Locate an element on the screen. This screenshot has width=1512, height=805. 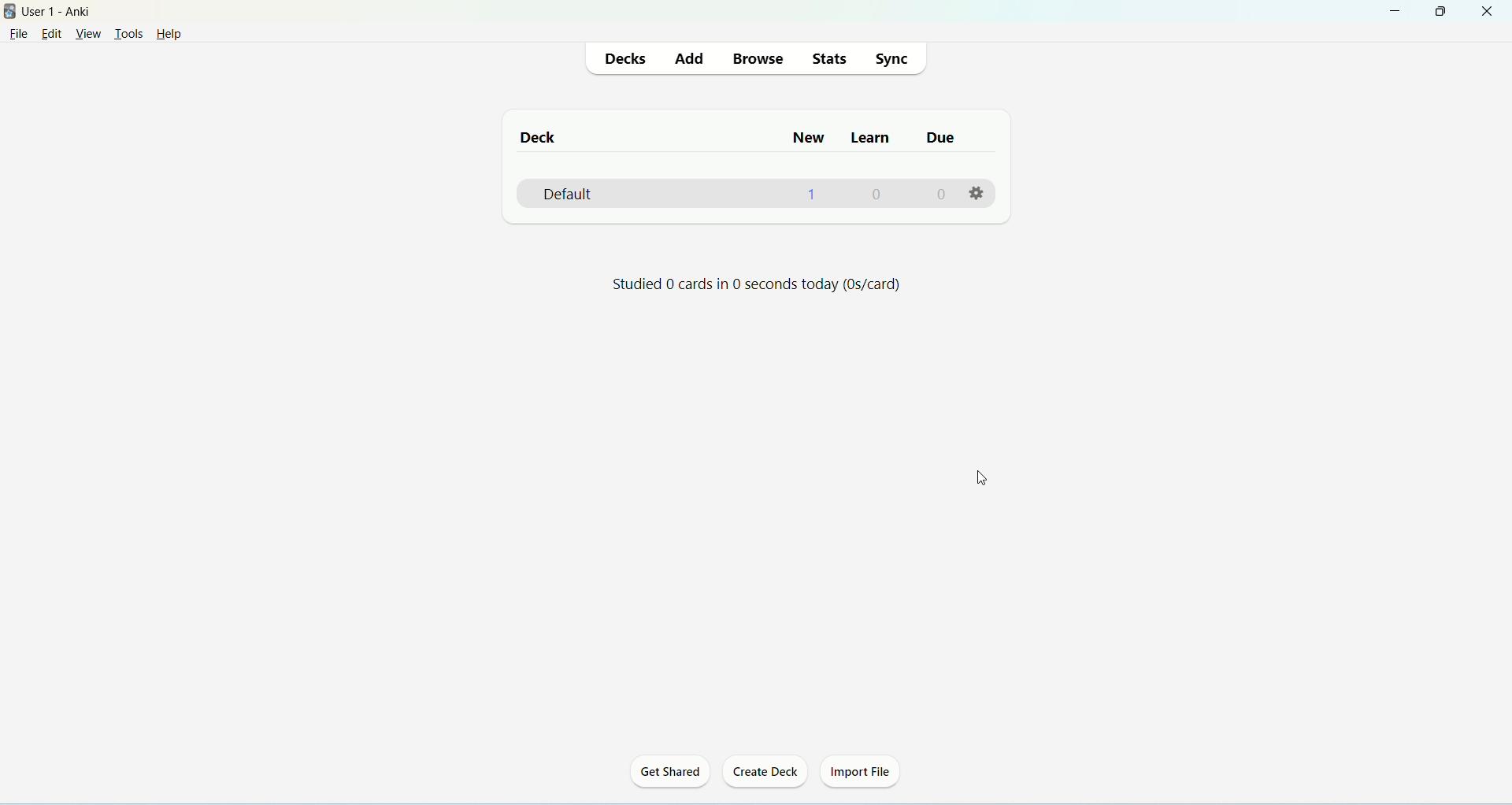
file is located at coordinates (18, 37).